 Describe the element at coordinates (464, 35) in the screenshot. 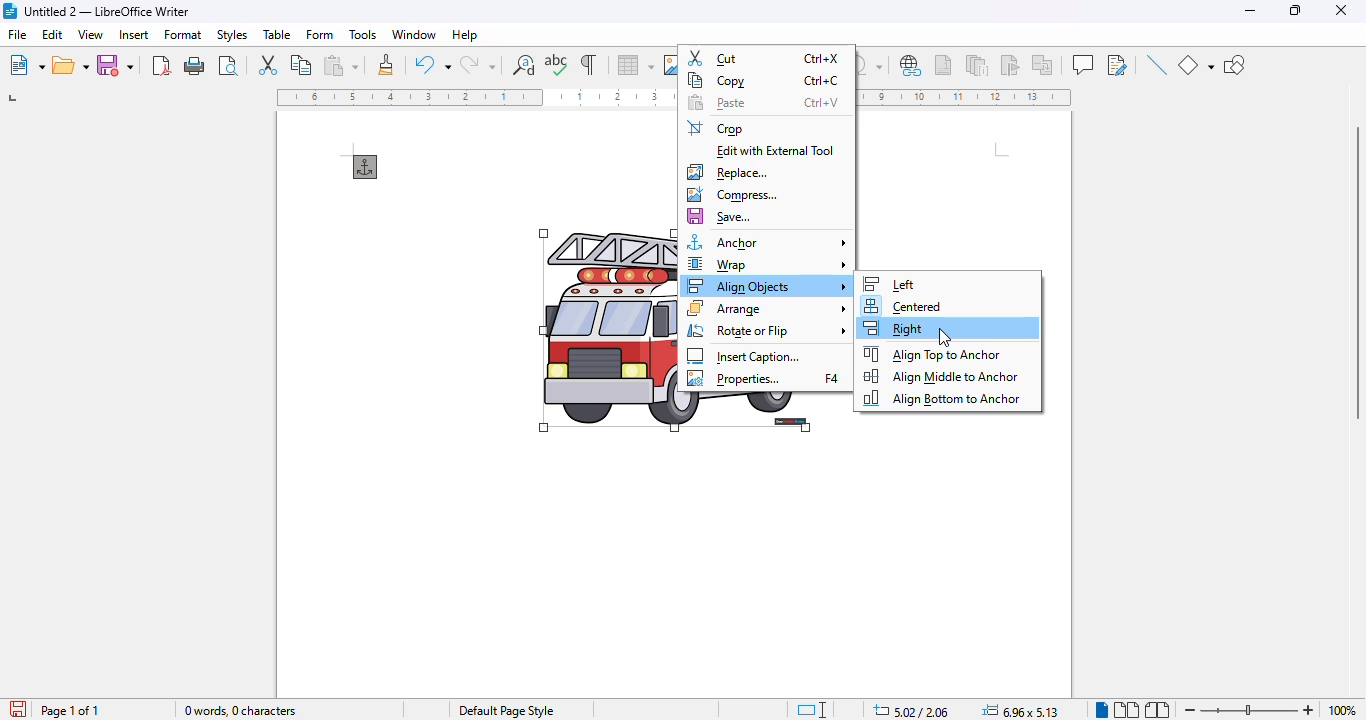

I see `help` at that location.